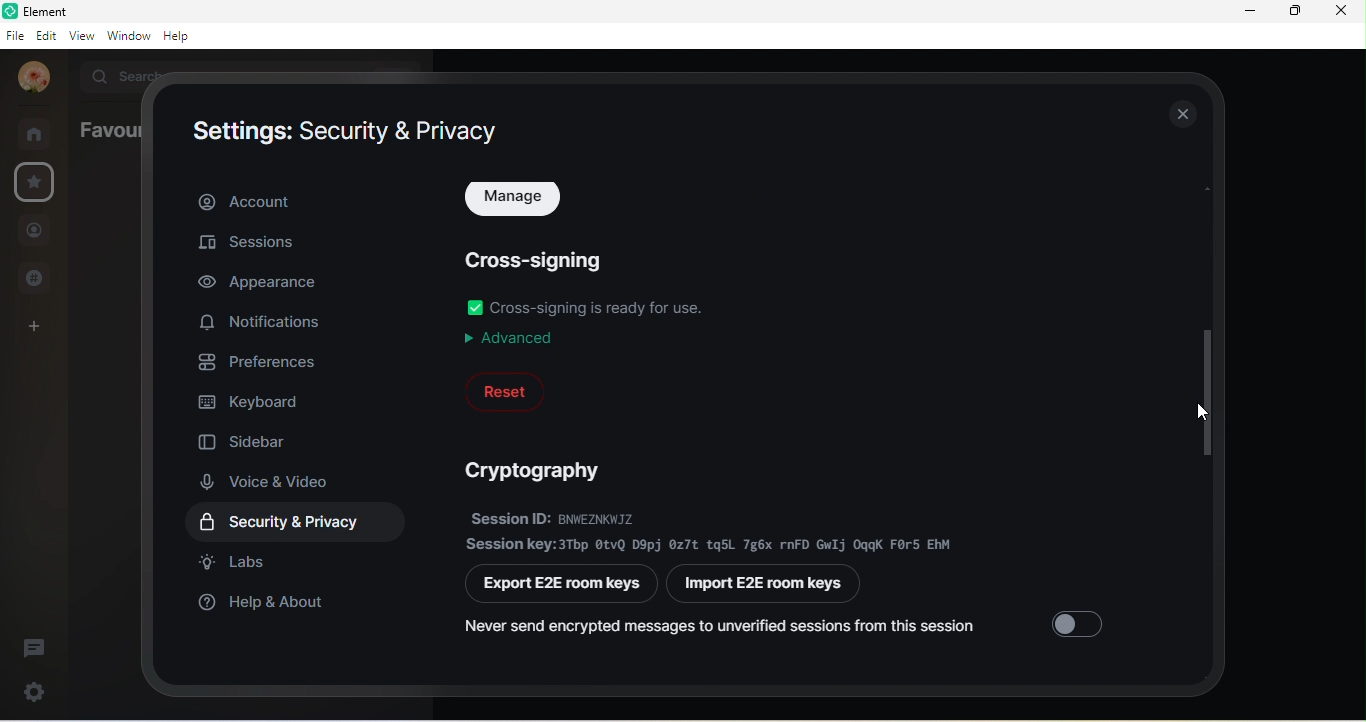 This screenshot has width=1366, height=722. Describe the element at coordinates (587, 517) in the screenshot. I see `session id :bnweznkwjz` at that location.